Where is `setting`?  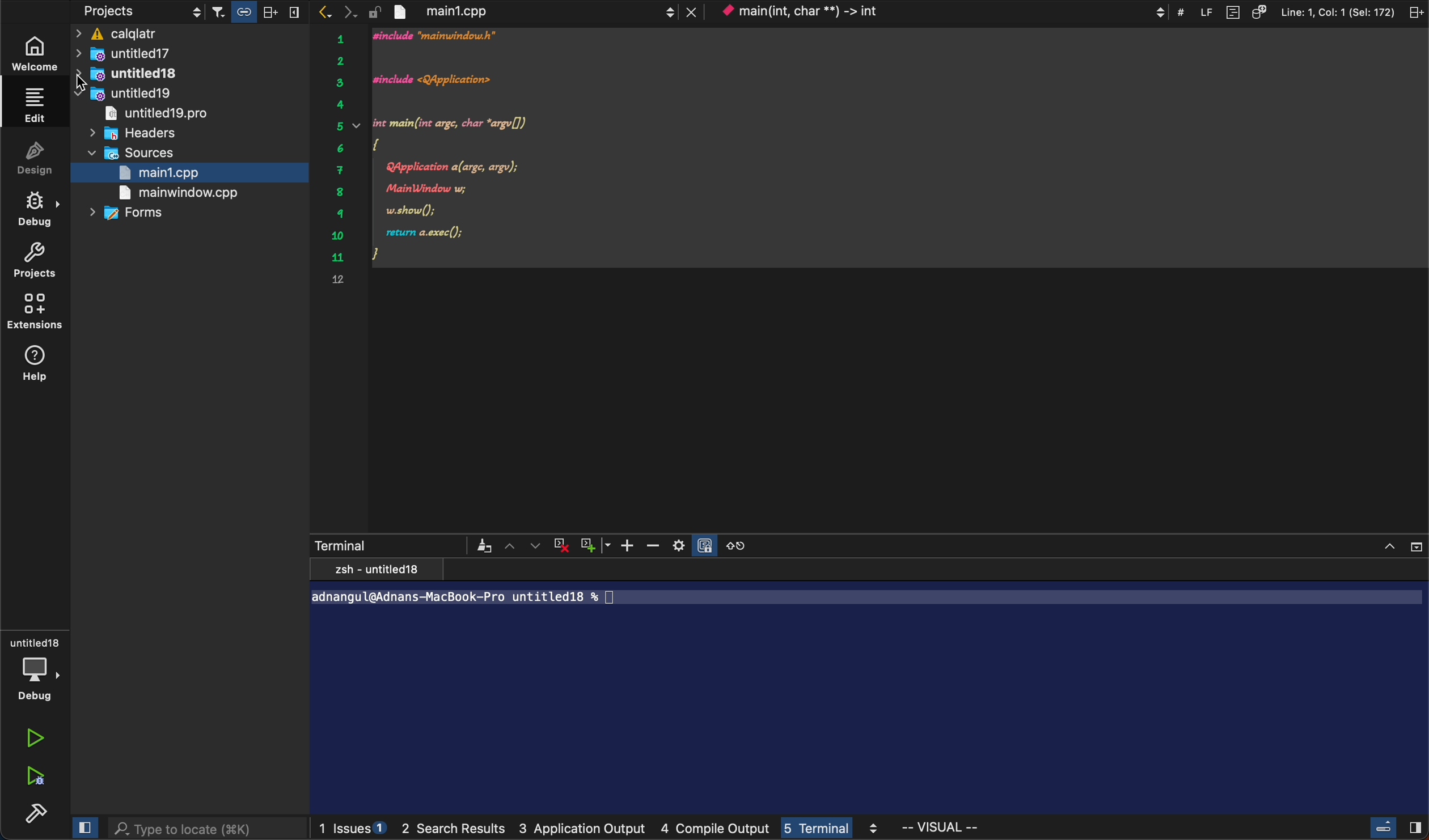
setting is located at coordinates (694, 546).